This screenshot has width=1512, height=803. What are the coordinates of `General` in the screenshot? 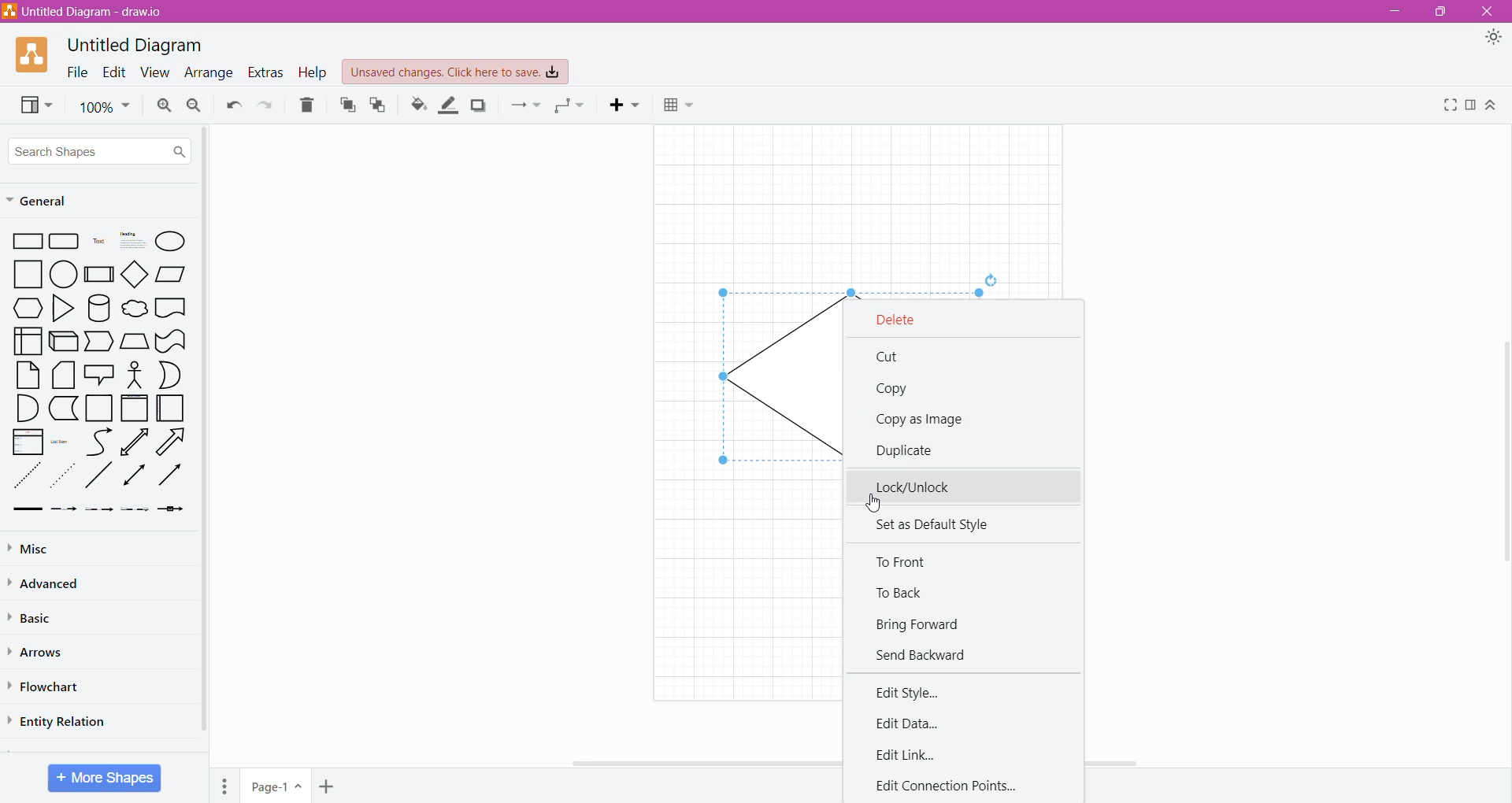 It's located at (83, 200).